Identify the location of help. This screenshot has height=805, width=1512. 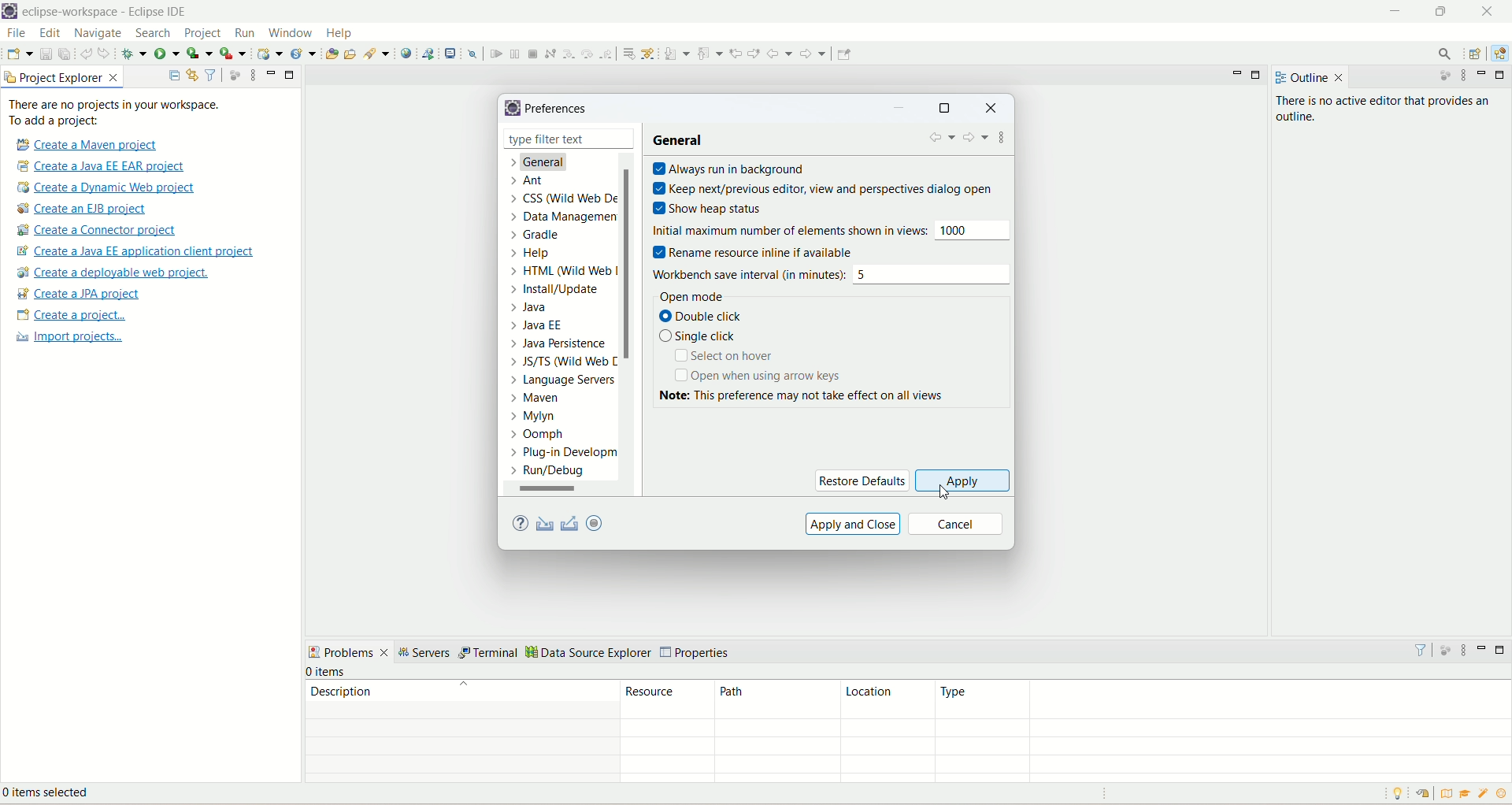
(341, 33).